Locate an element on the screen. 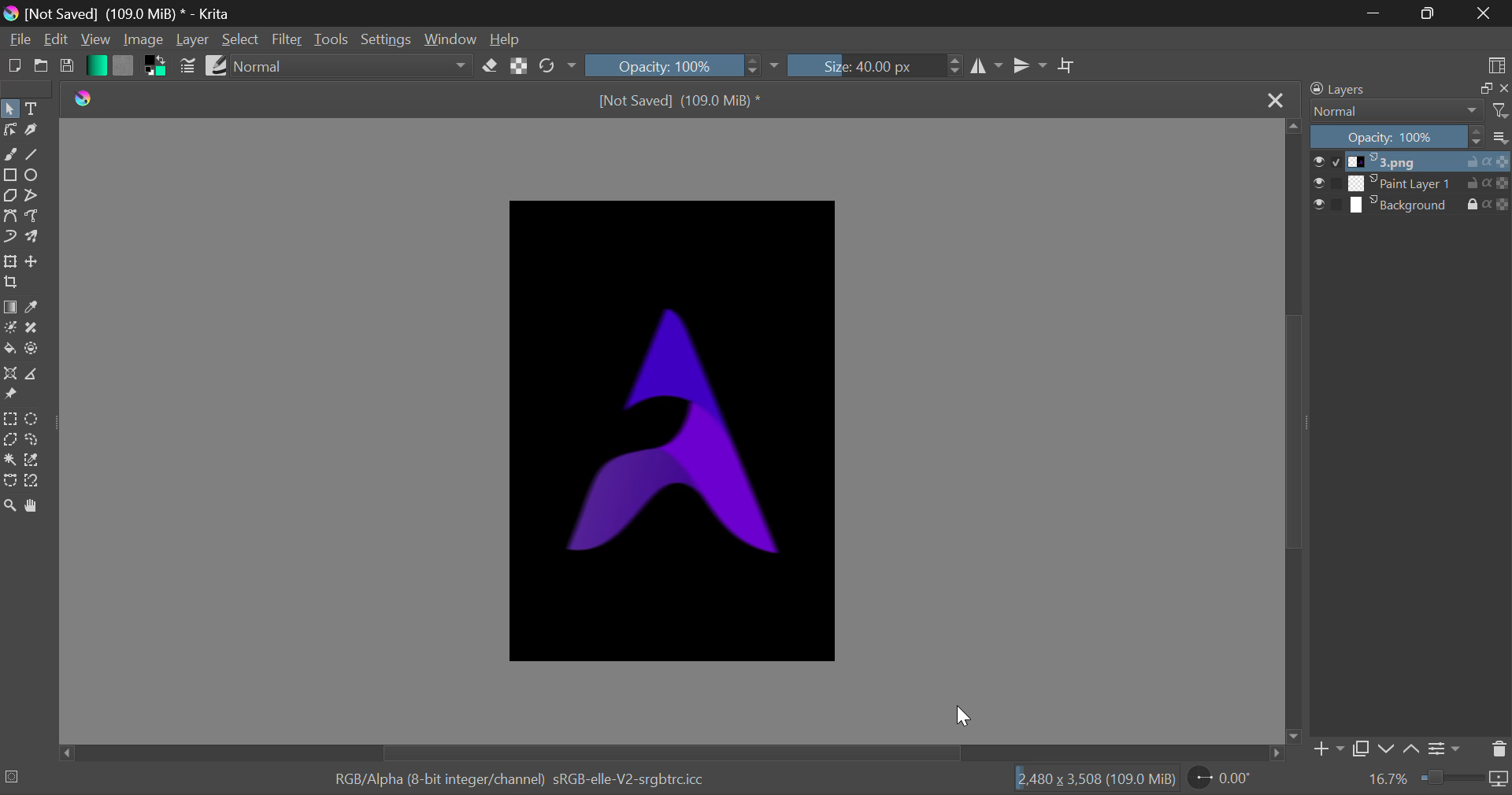 Image resolution: width=1512 pixels, height=795 pixels. Crop is located at coordinates (11, 283).